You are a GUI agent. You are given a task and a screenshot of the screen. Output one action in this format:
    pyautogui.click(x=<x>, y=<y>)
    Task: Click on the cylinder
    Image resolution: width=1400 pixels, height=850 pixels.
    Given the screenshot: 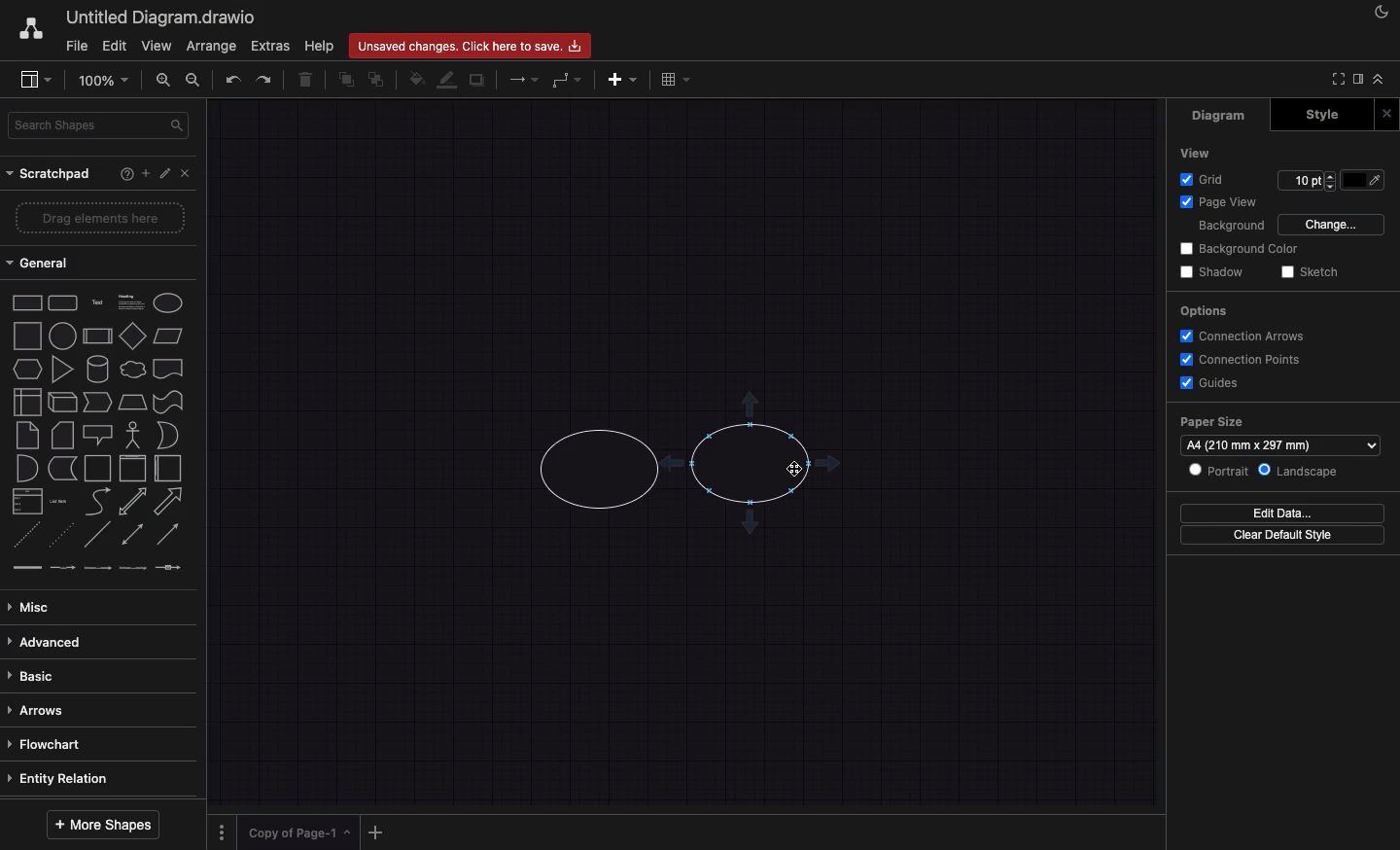 What is the action you would take?
    pyautogui.click(x=98, y=370)
    